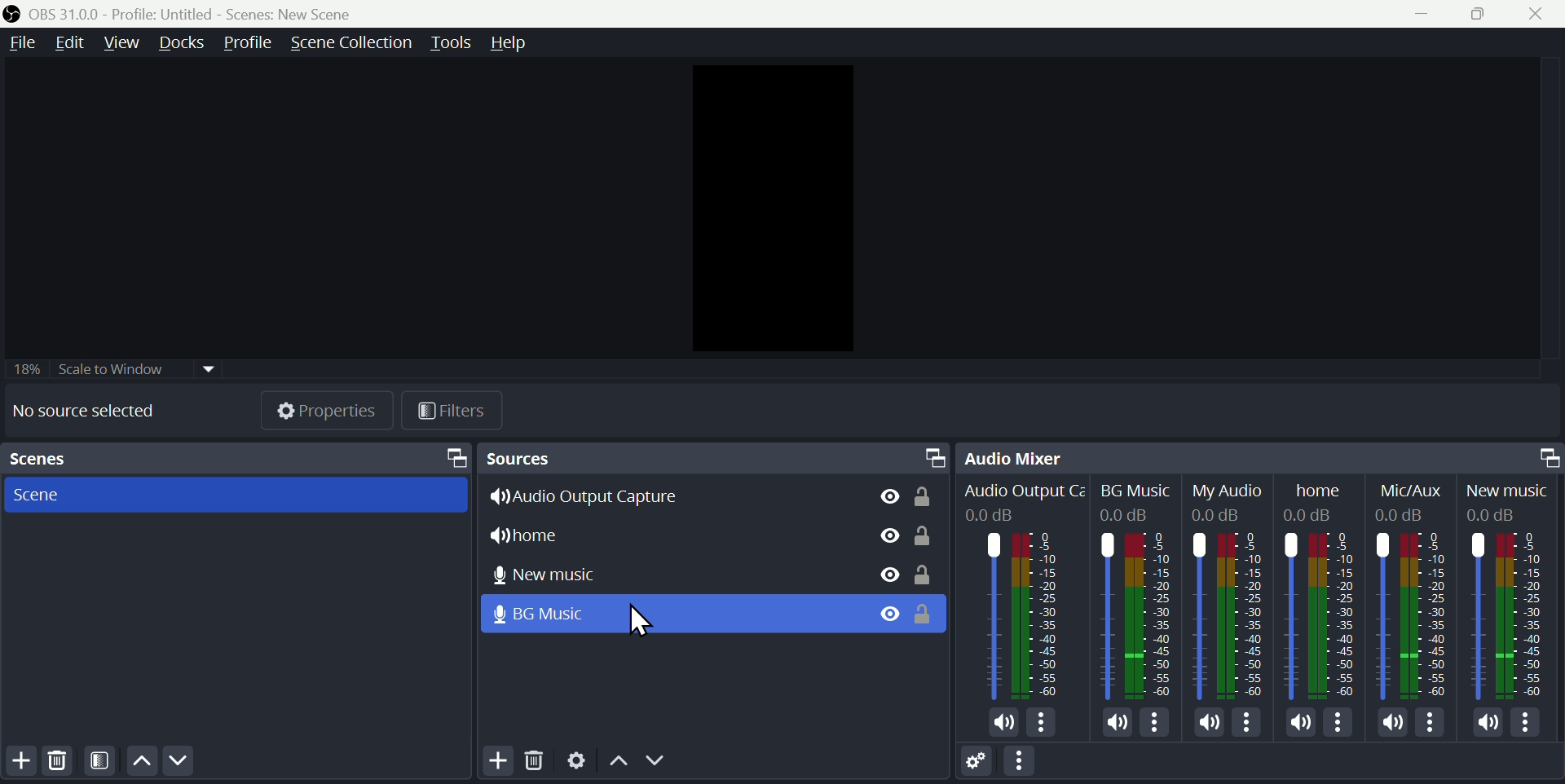 Image resolution: width=1565 pixels, height=784 pixels. What do you see at coordinates (585, 614) in the screenshot?
I see `BG music` at bounding box center [585, 614].